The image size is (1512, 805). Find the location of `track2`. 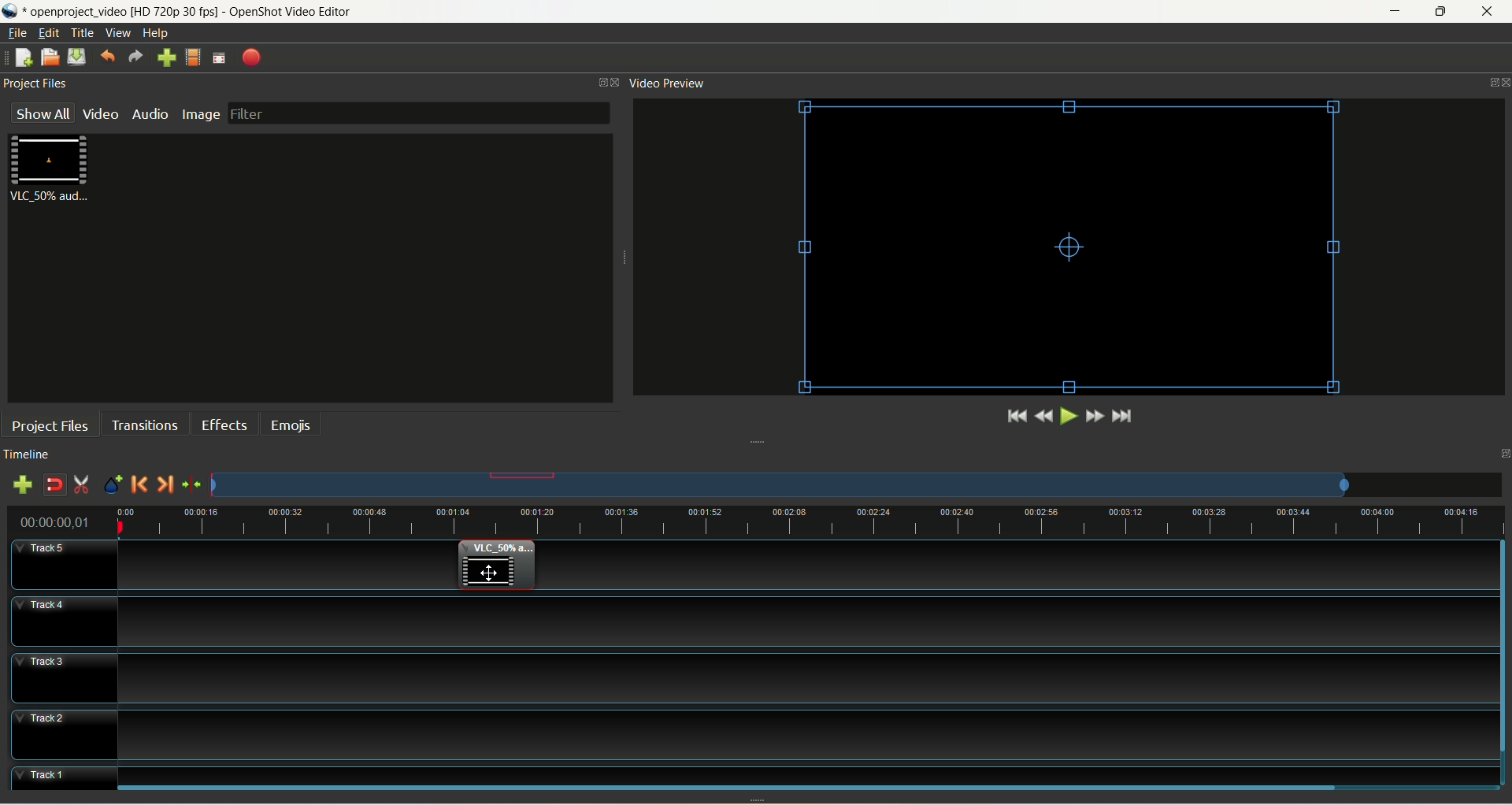

track2 is located at coordinates (64, 735).